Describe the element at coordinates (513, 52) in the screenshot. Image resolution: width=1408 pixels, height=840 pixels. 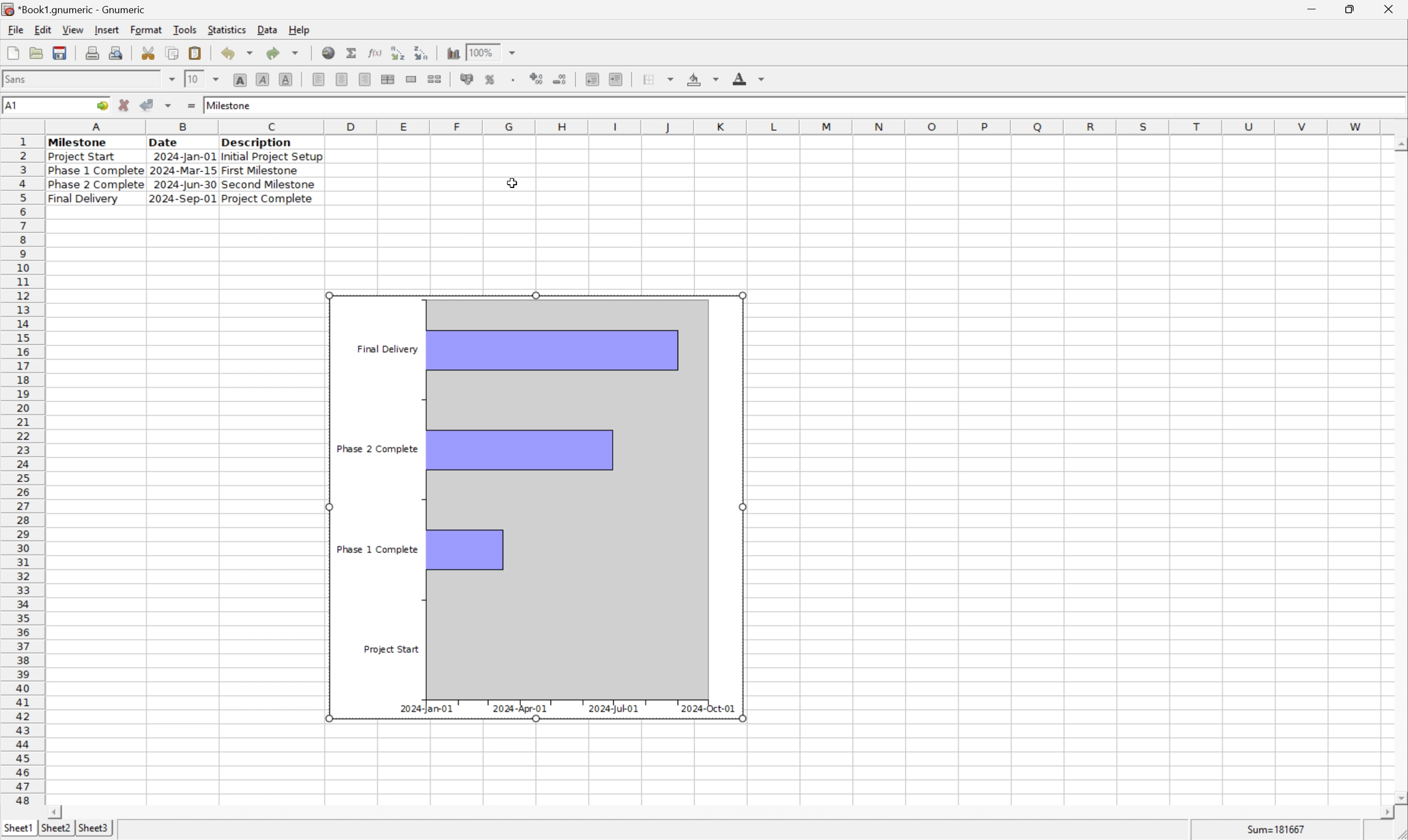
I see `drop down` at that location.